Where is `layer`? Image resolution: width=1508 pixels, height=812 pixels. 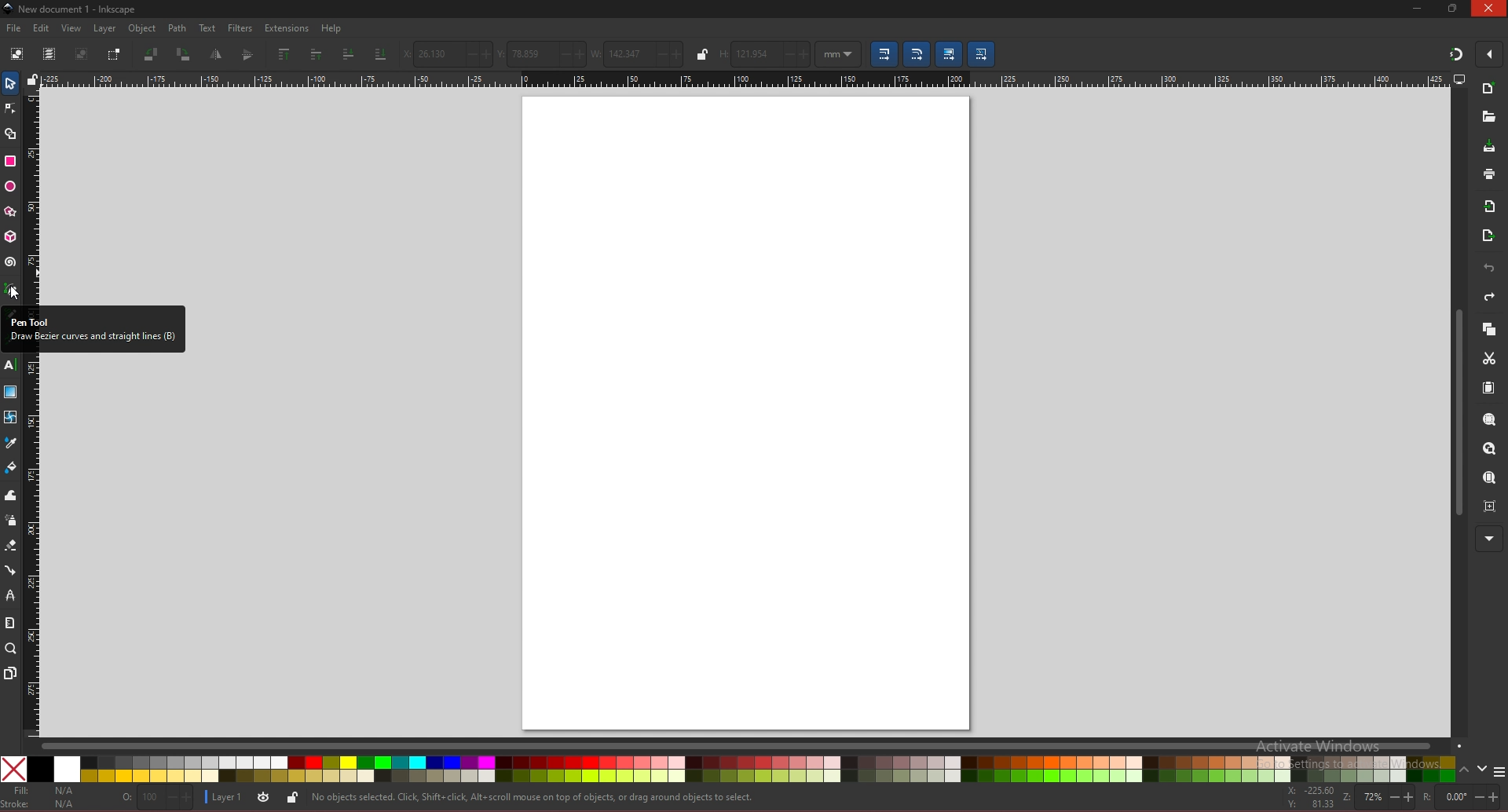 layer is located at coordinates (104, 28).